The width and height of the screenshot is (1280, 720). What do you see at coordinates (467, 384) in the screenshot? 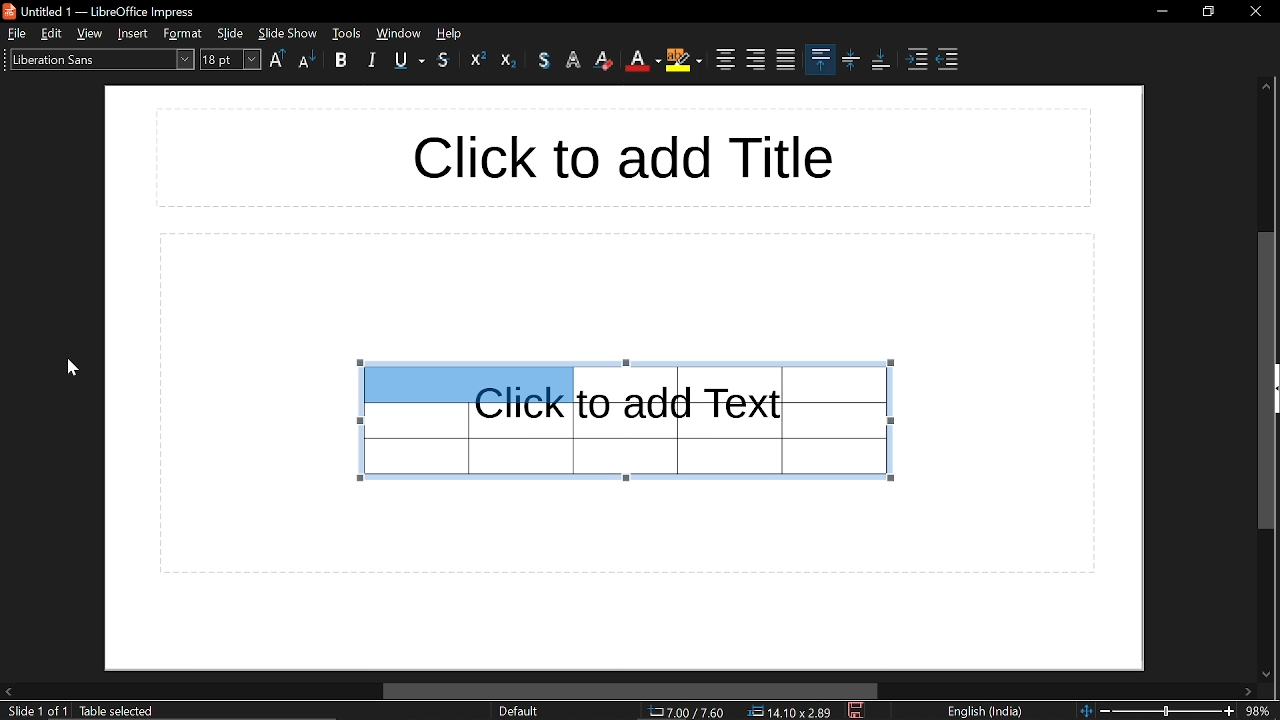
I see `selected cells` at bounding box center [467, 384].